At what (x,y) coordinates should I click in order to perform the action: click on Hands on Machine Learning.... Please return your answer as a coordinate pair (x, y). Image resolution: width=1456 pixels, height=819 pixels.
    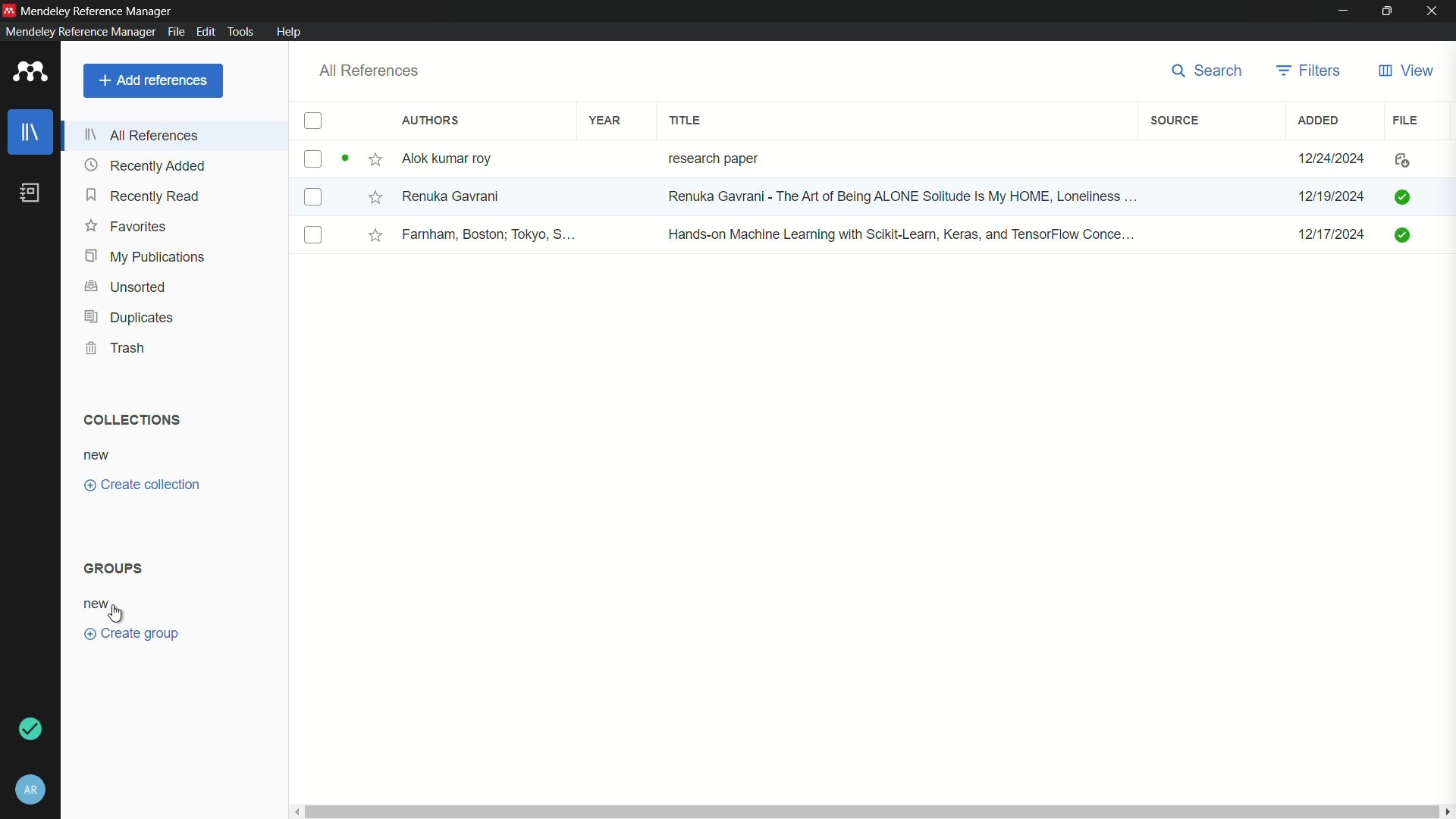
    Looking at the image, I should click on (898, 233).